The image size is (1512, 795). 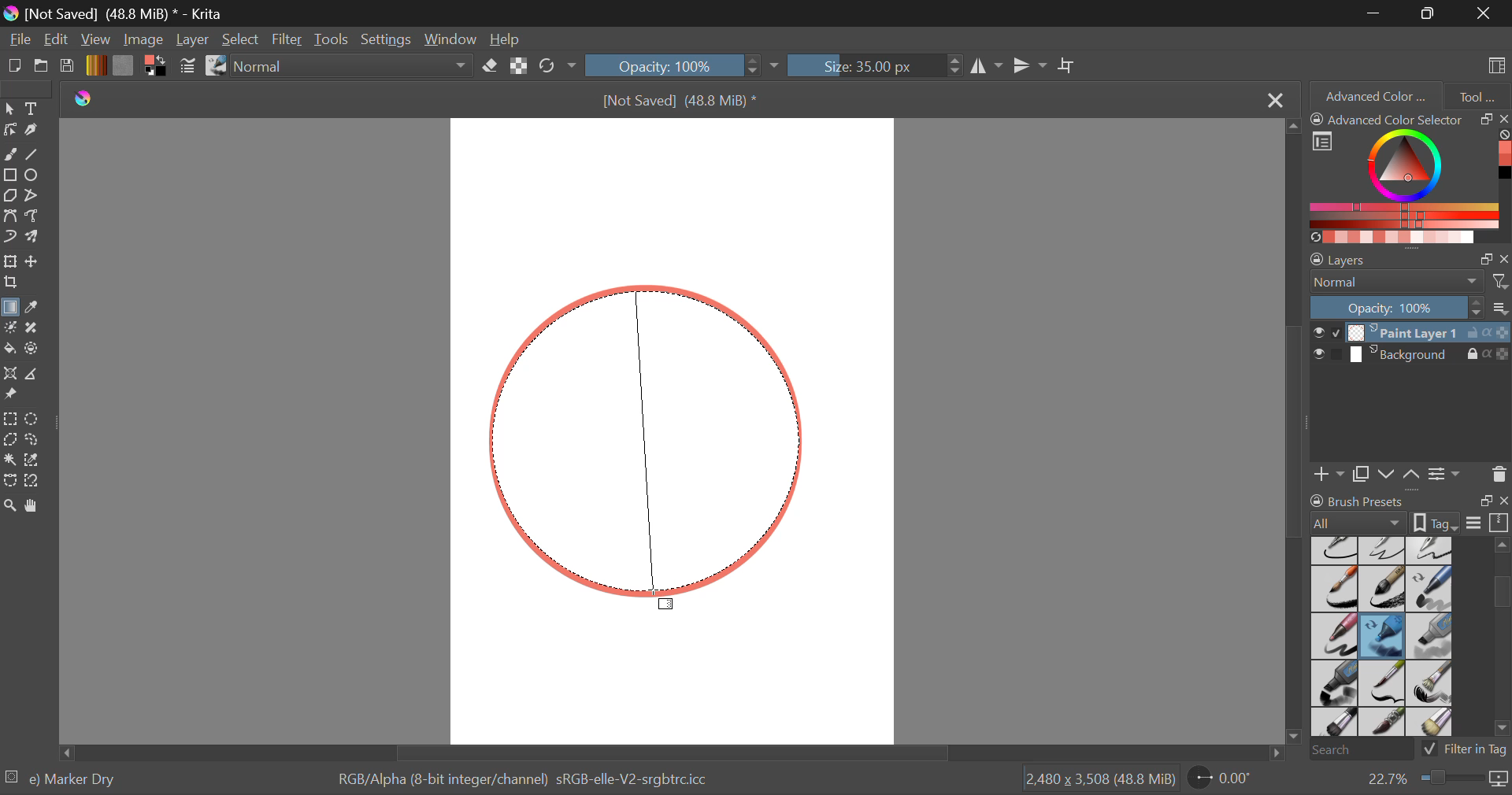 What do you see at coordinates (11, 284) in the screenshot?
I see `Crop a layer` at bounding box center [11, 284].